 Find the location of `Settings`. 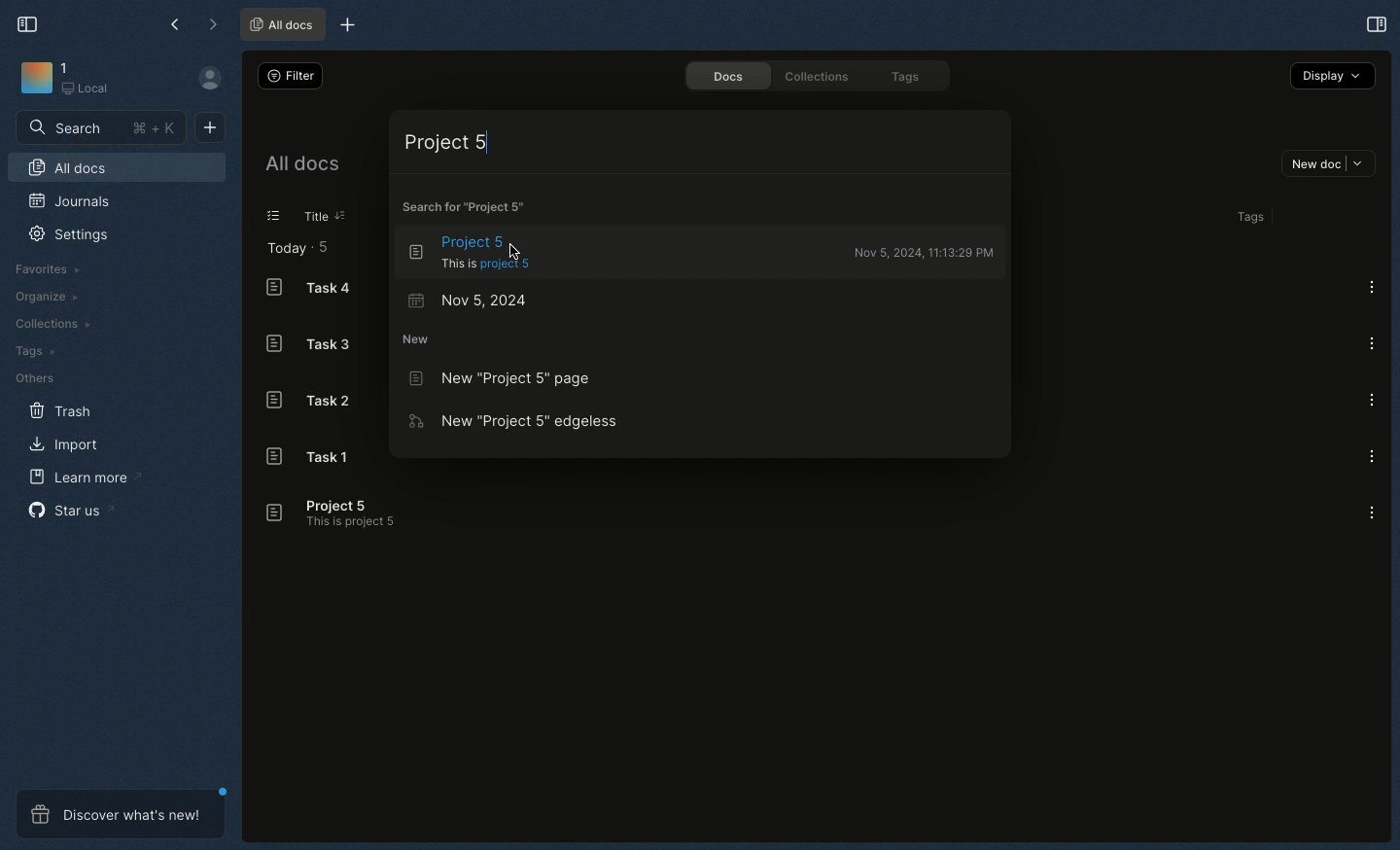

Settings is located at coordinates (71, 235).